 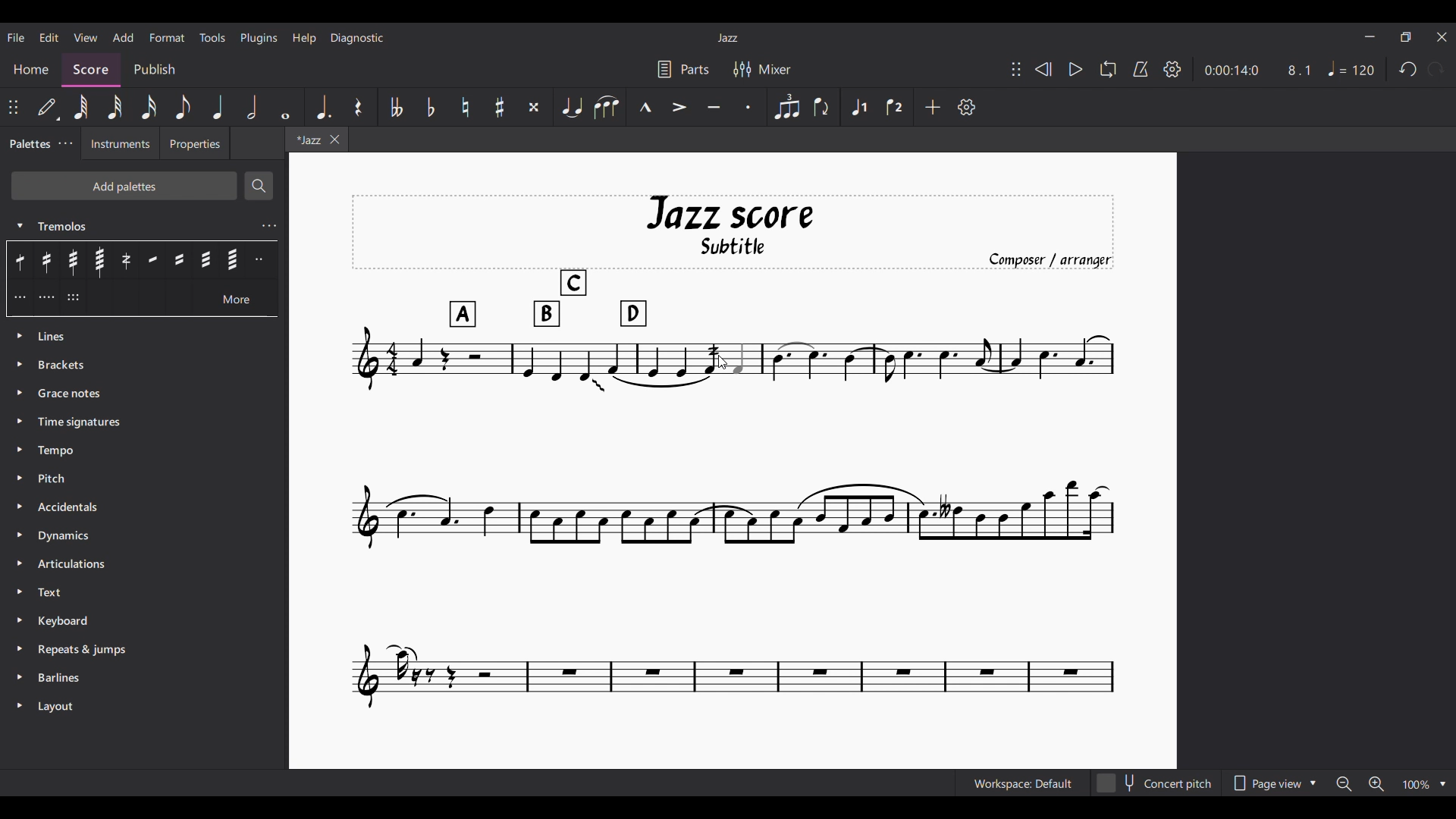 I want to click on Rest, so click(x=359, y=106).